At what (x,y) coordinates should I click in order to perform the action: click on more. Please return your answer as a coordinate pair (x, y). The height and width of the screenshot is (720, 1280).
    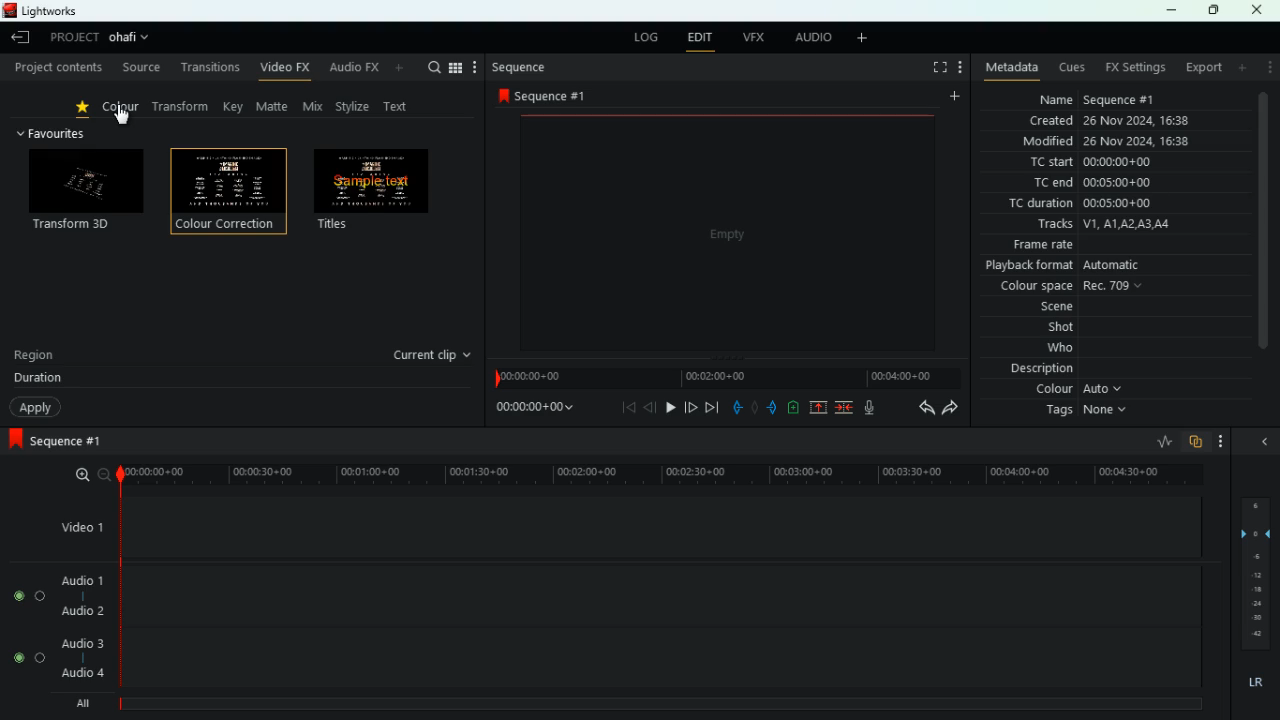
    Looking at the image, I should click on (1220, 440).